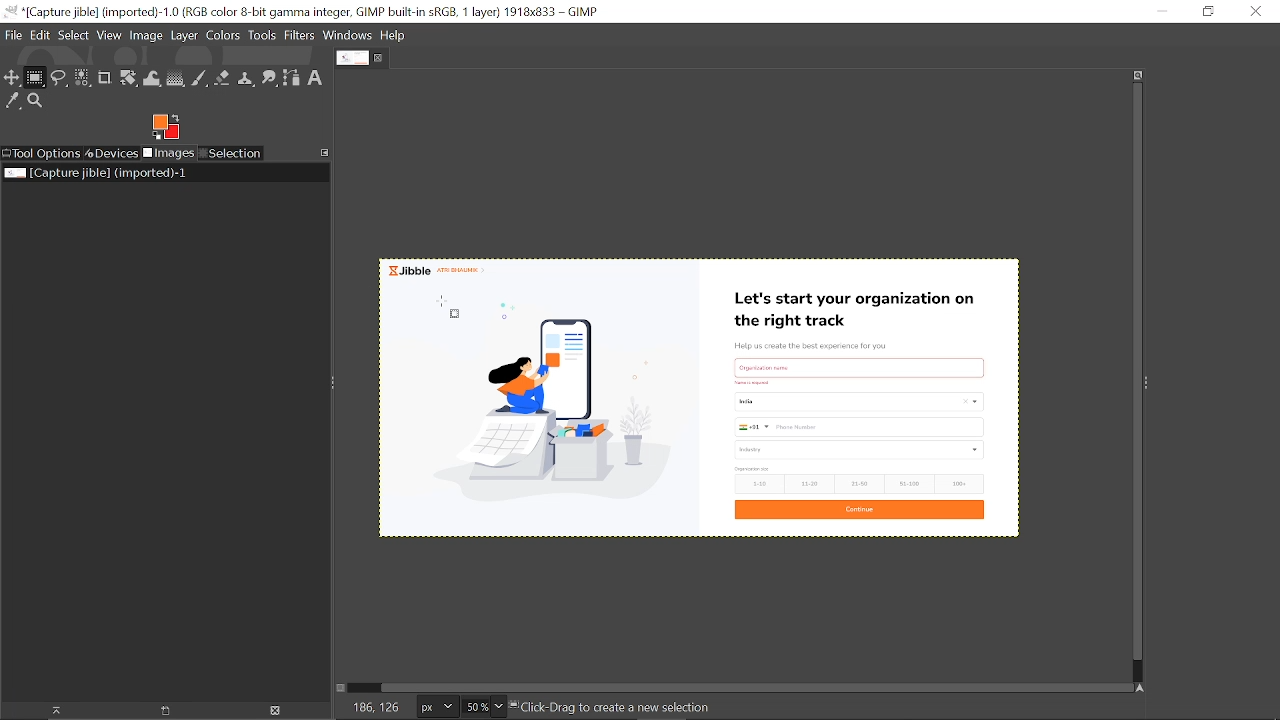 This screenshot has width=1280, height=720. What do you see at coordinates (326, 152) in the screenshot?
I see `Configure this tab` at bounding box center [326, 152].